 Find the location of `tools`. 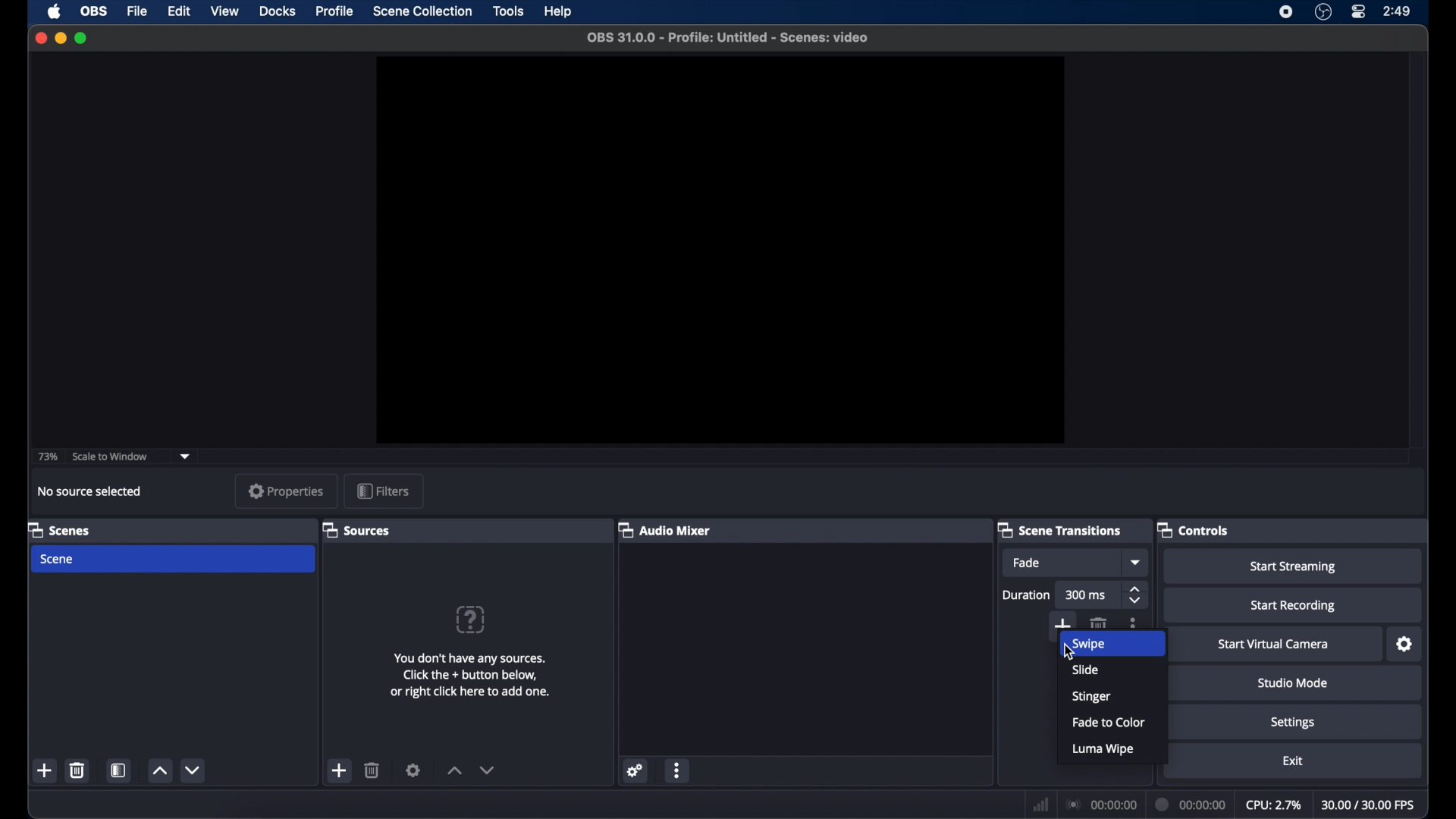

tools is located at coordinates (509, 11).